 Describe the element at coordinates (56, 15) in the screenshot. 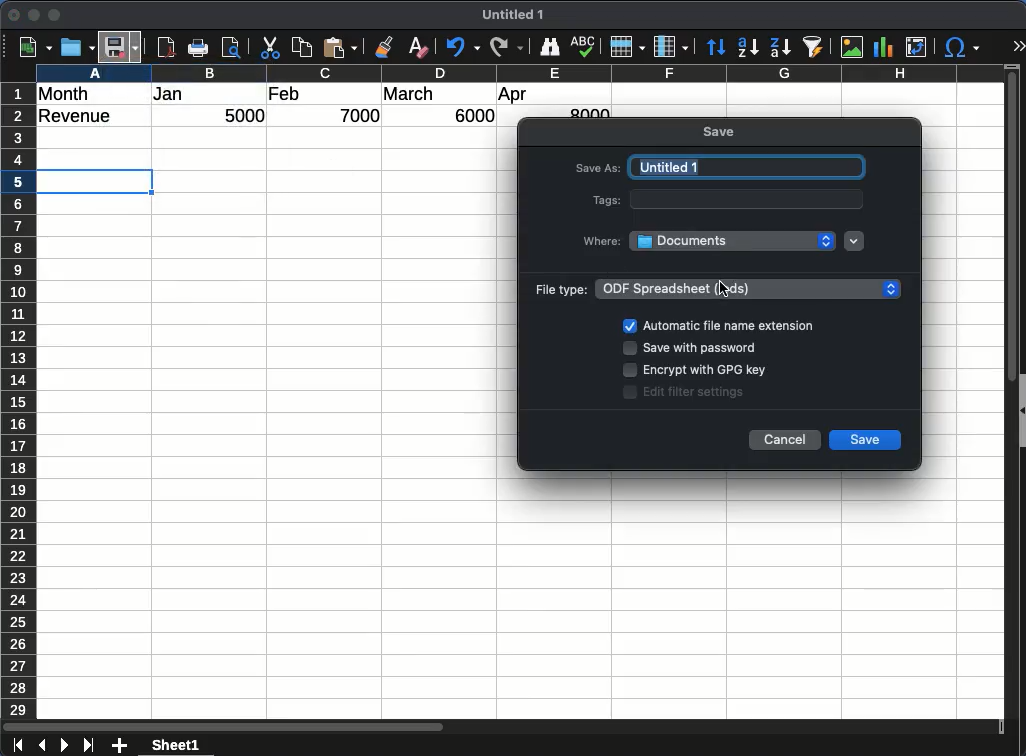

I see `maximize` at that location.